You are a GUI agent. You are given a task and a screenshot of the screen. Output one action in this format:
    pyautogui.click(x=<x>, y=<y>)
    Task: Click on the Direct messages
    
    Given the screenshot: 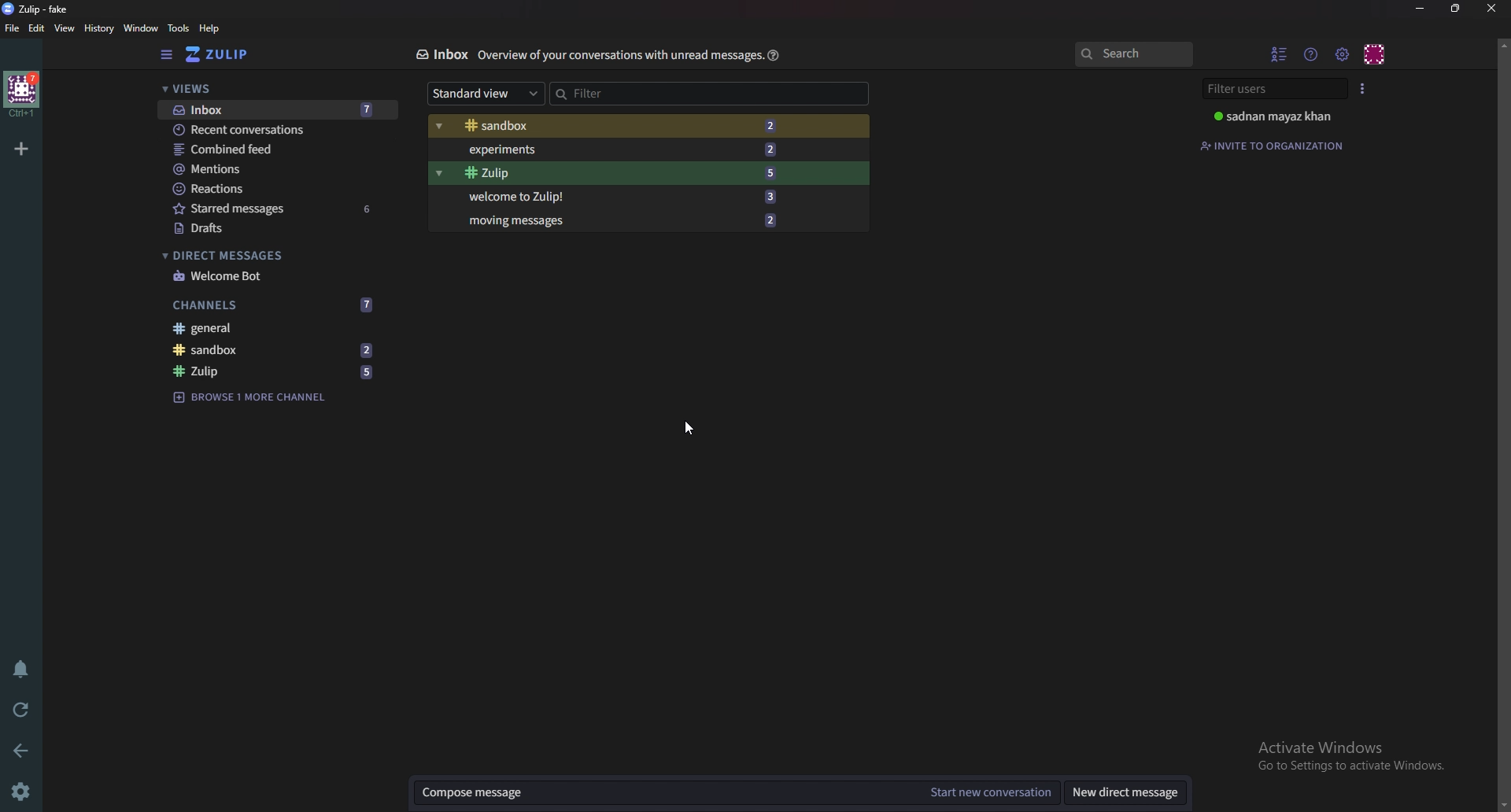 What is the action you would take?
    pyautogui.click(x=271, y=256)
    